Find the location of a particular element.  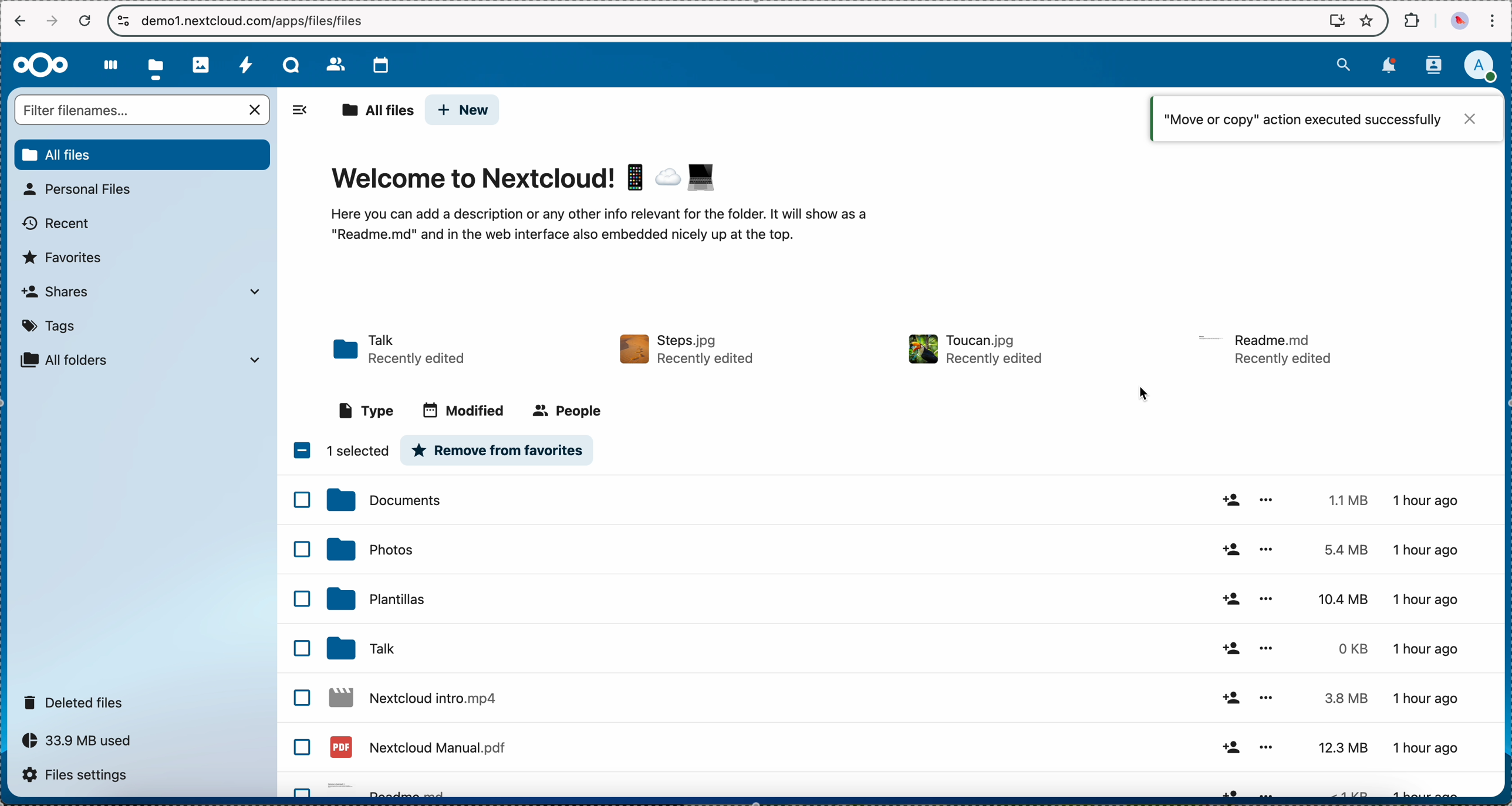

type is located at coordinates (367, 409).